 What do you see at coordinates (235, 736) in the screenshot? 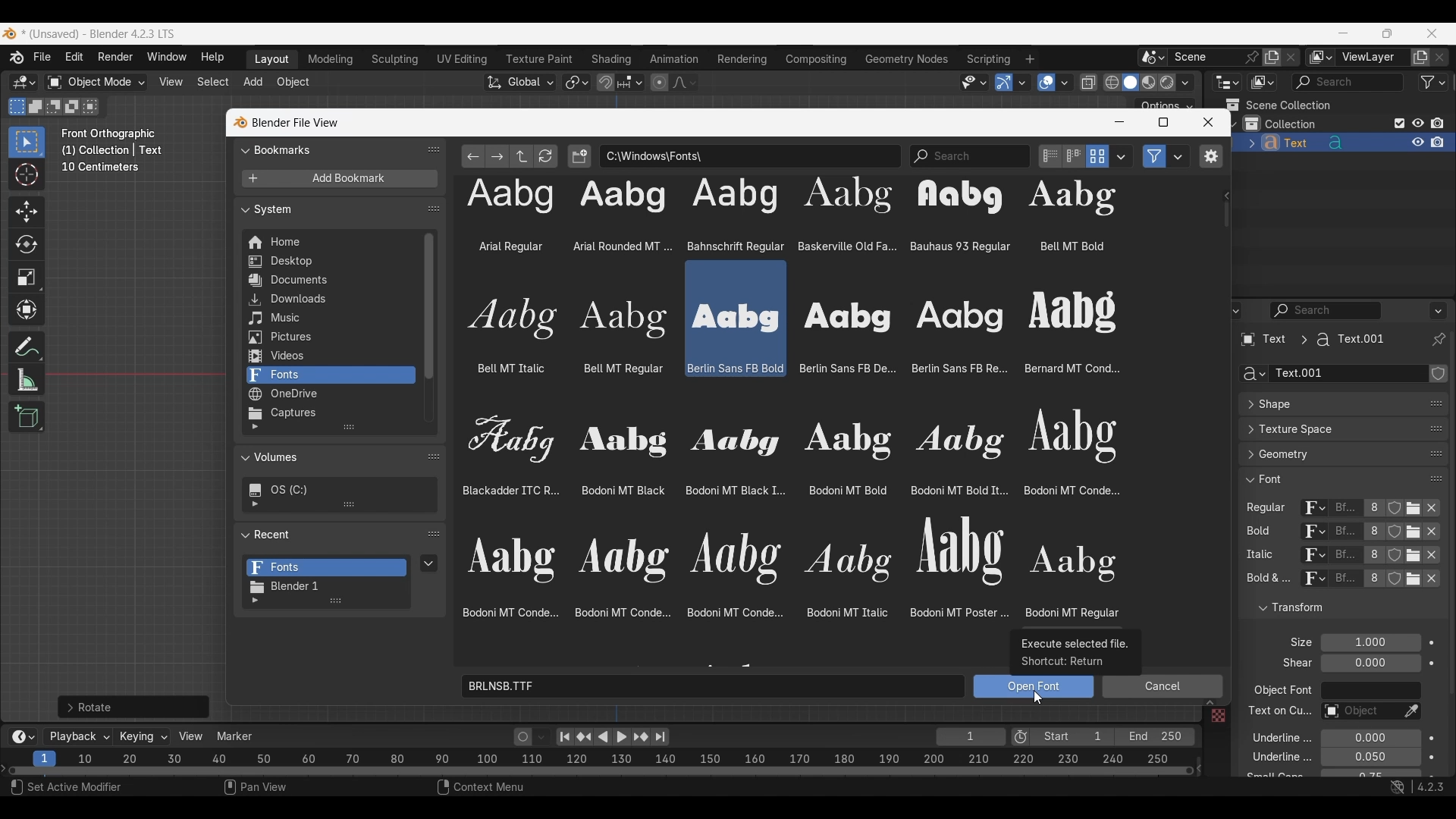
I see `Marker` at bounding box center [235, 736].